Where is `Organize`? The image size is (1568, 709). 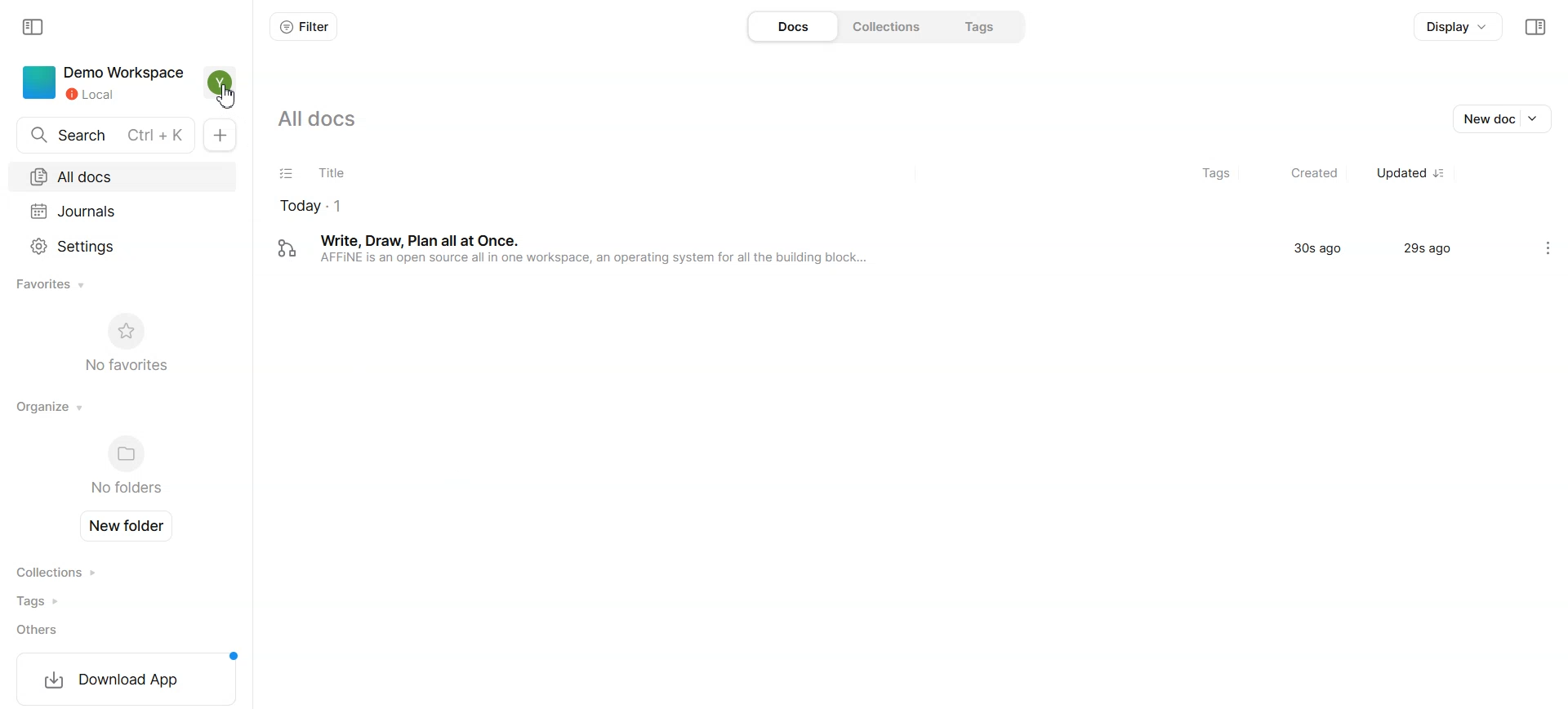 Organize is located at coordinates (51, 406).